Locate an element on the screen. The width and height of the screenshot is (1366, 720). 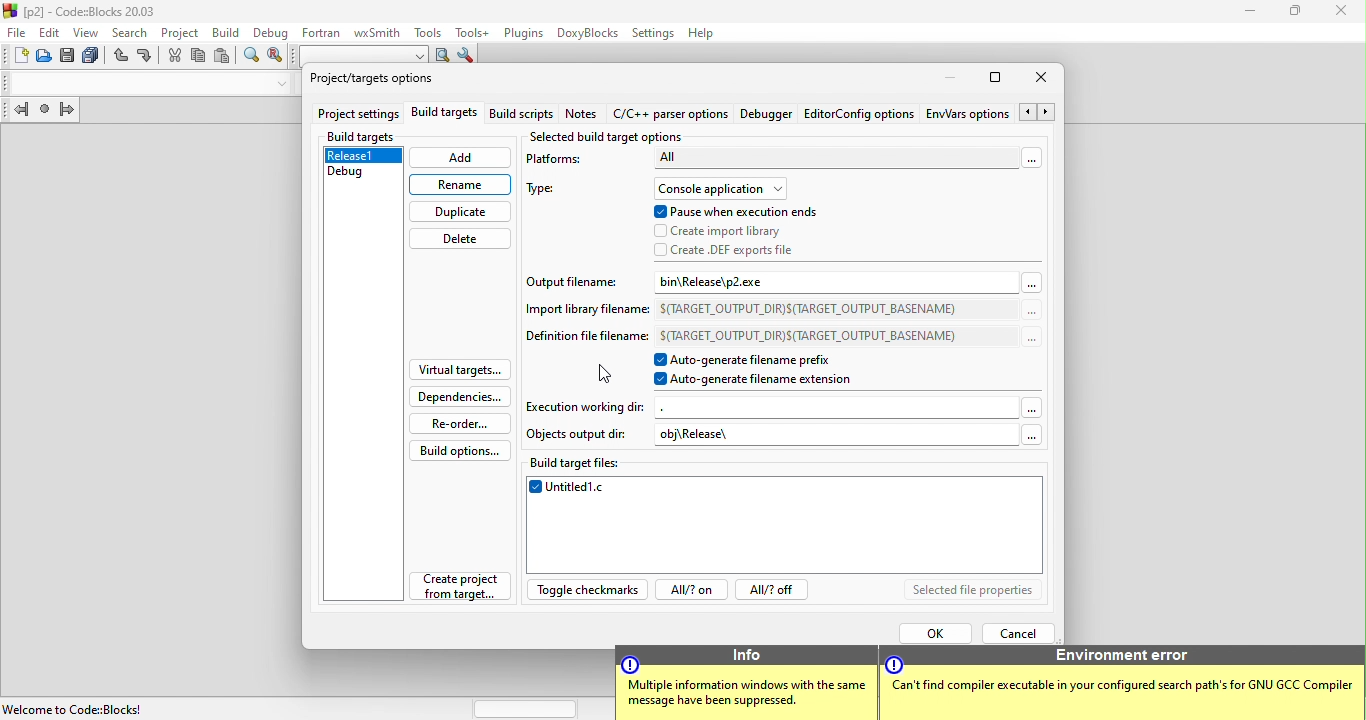
rename is located at coordinates (461, 184).